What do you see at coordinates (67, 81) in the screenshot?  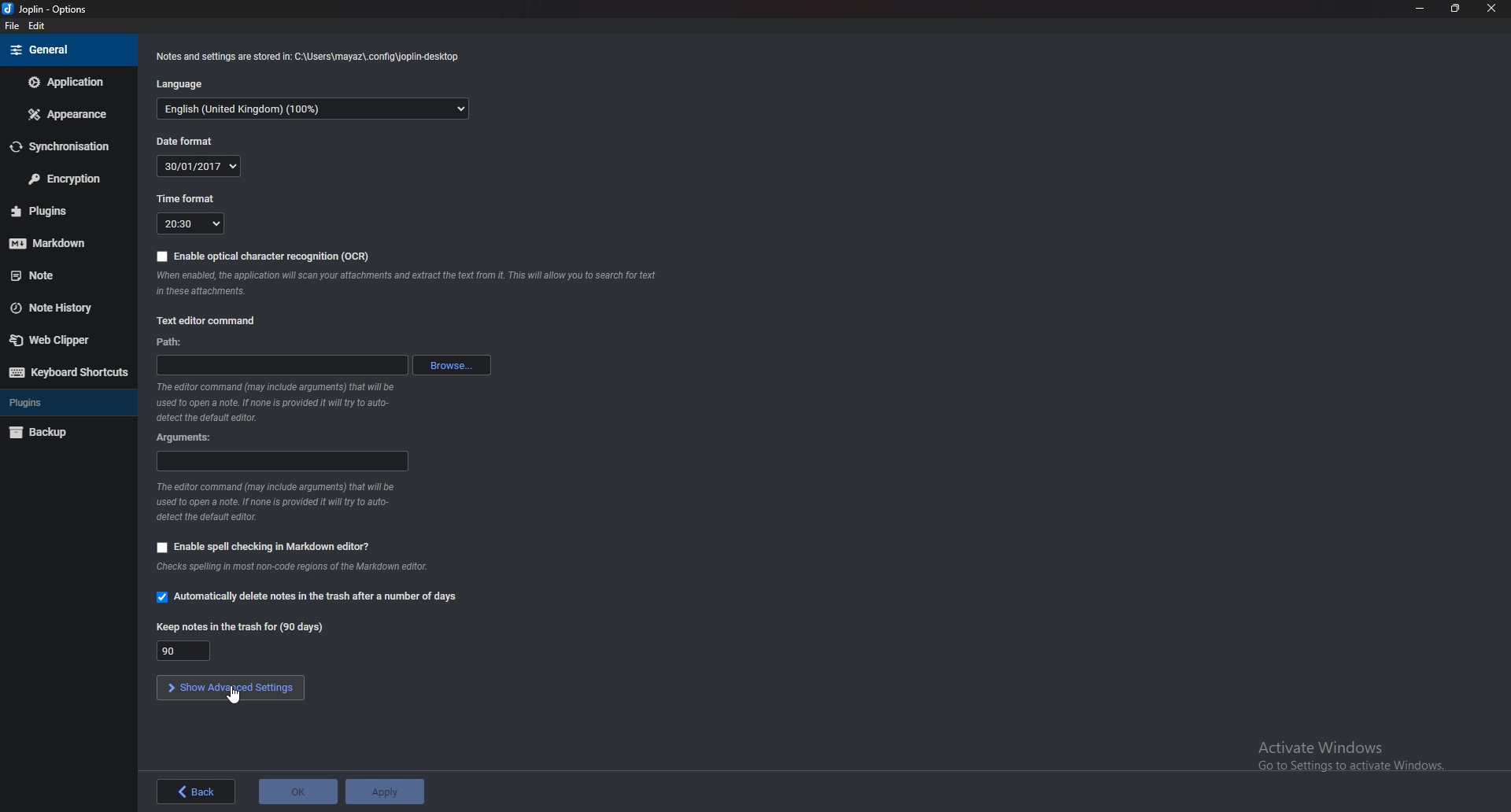 I see `Application` at bounding box center [67, 81].